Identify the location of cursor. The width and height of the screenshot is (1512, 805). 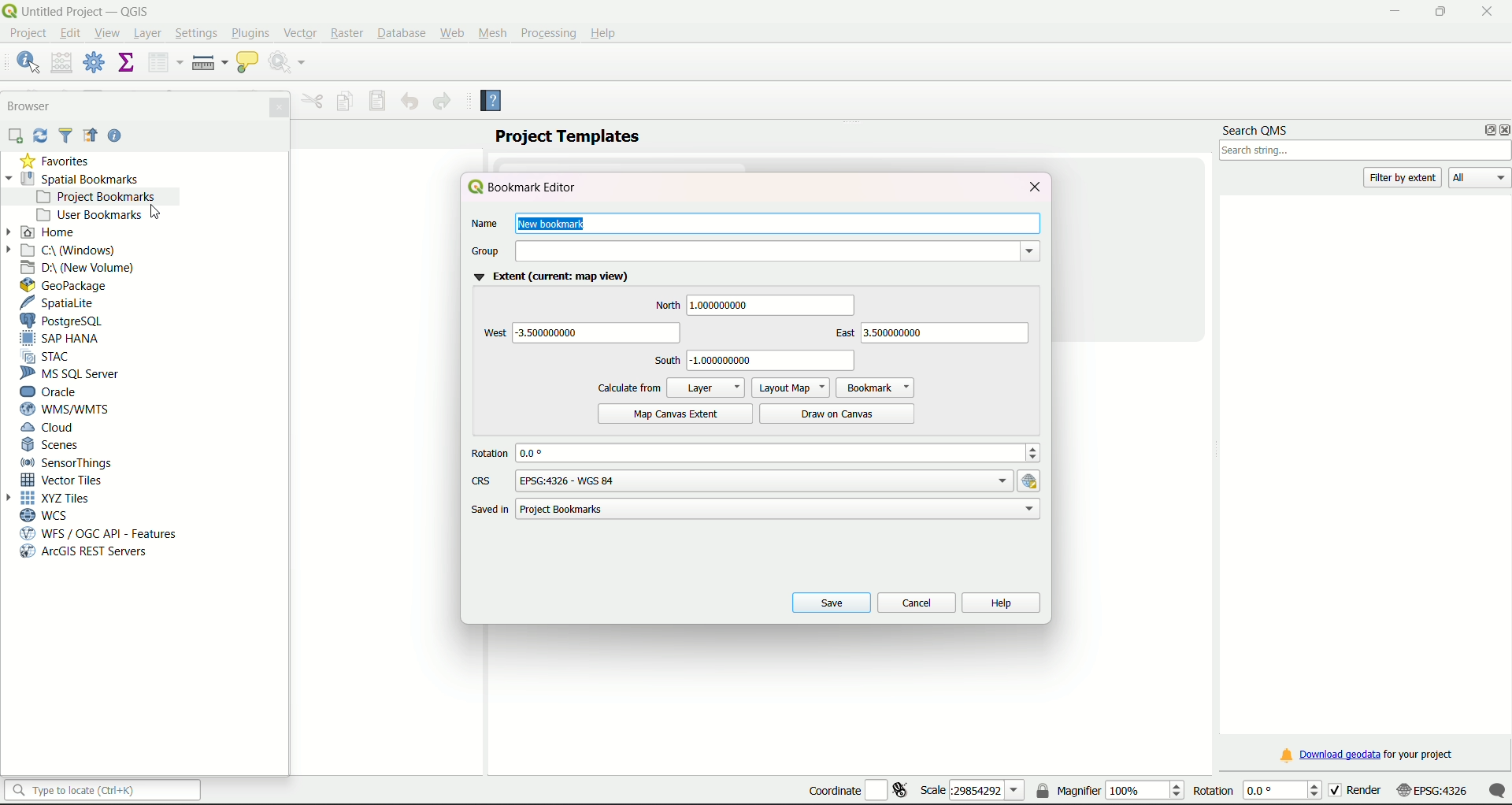
(159, 214).